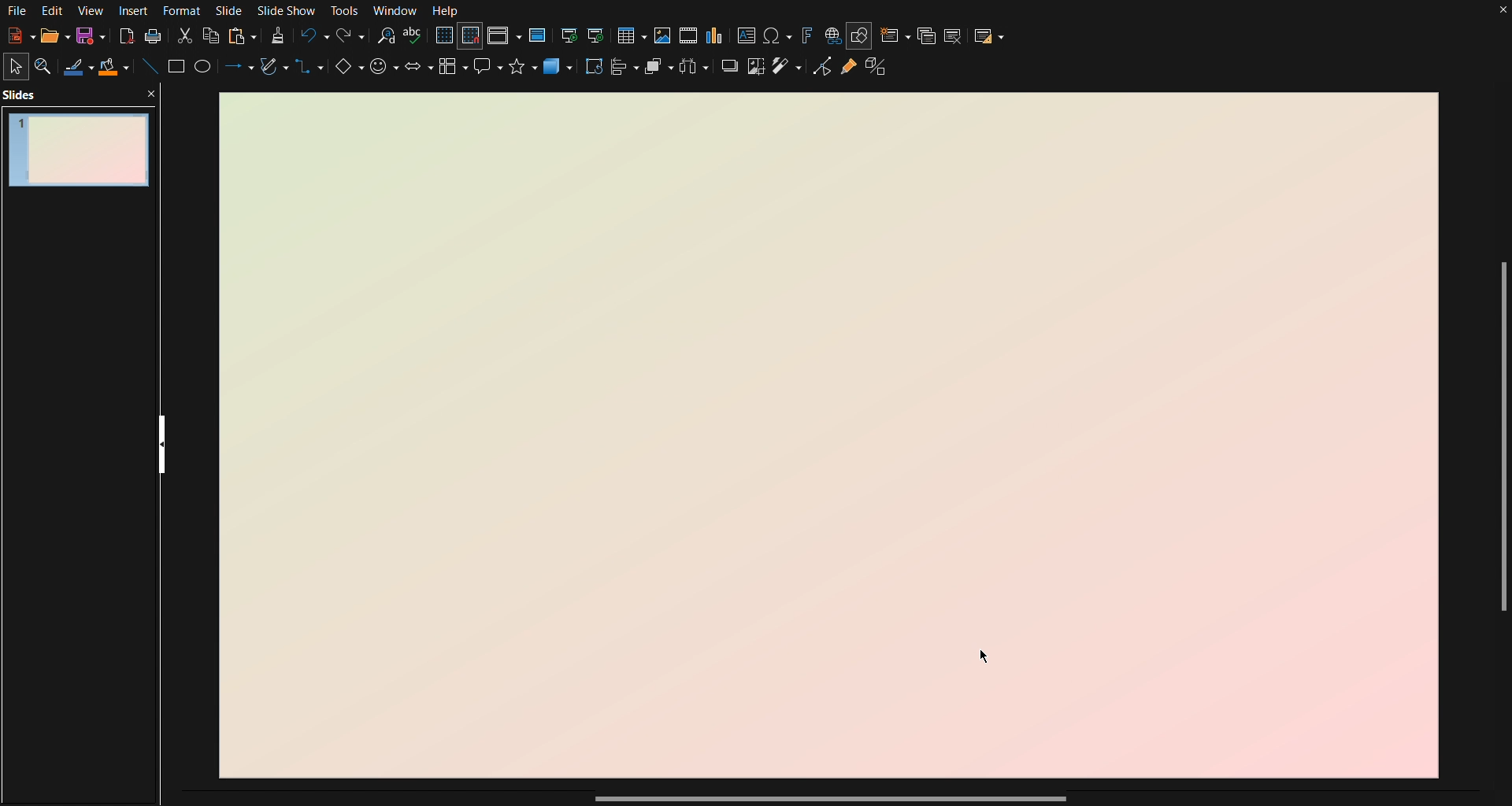  Describe the element at coordinates (826, 437) in the screenshot. I see `Gradient Background` at that location.